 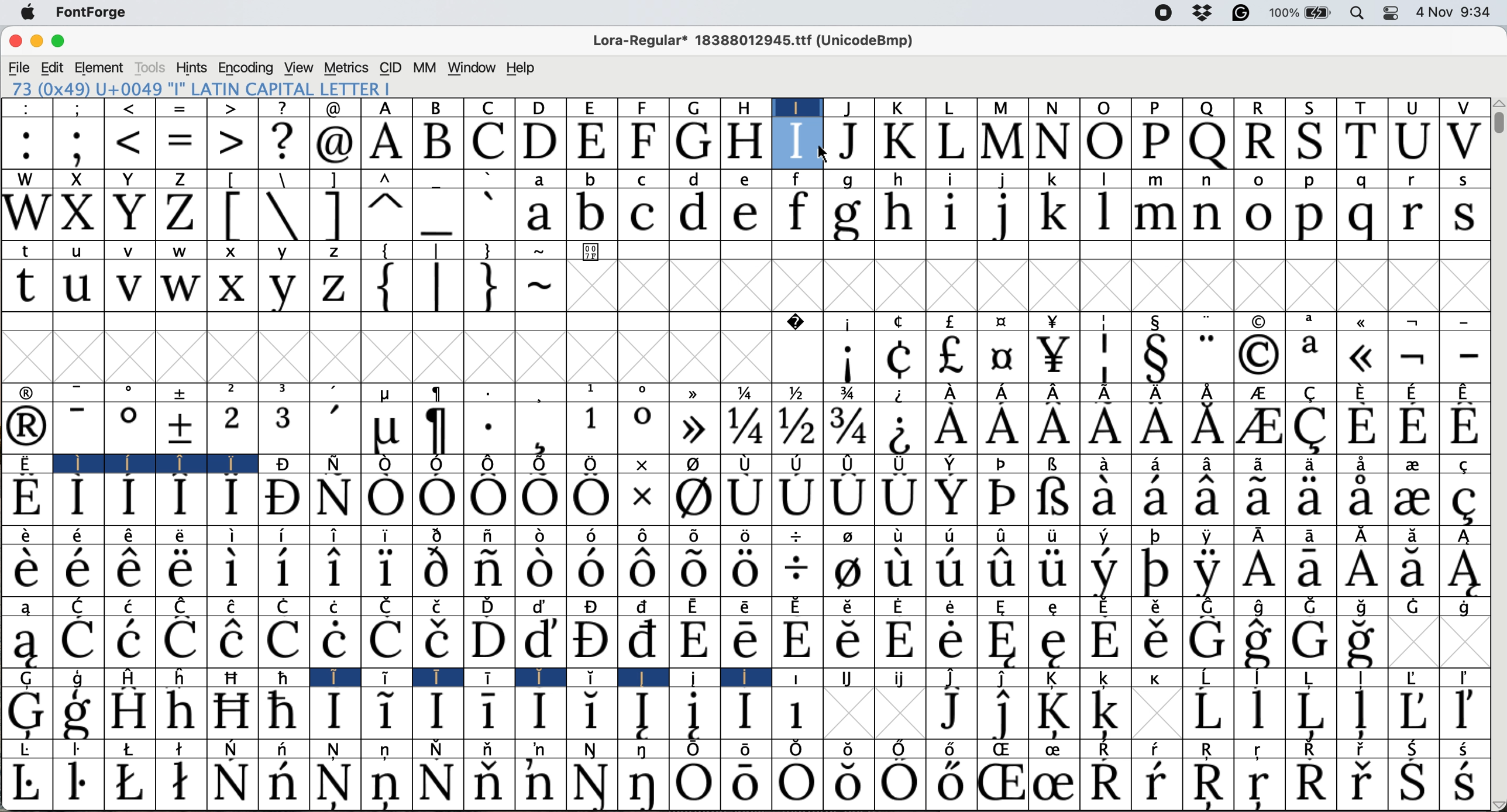 What do you see at coordinates (1308, 106) in the screenshot?
I see `S` at bounding box center [1308, 106].